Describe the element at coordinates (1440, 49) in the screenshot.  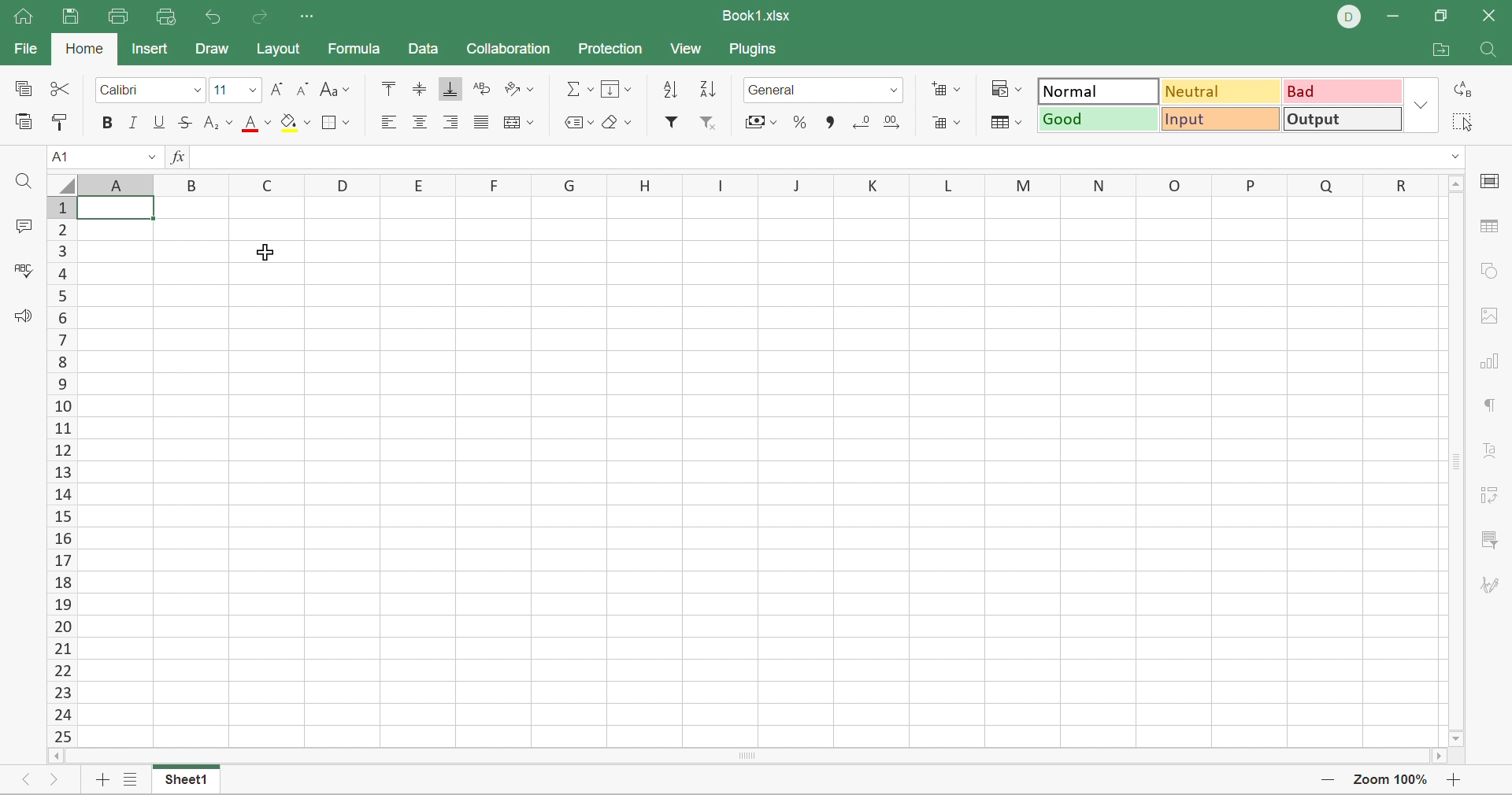
I see `Open file location` at that location.